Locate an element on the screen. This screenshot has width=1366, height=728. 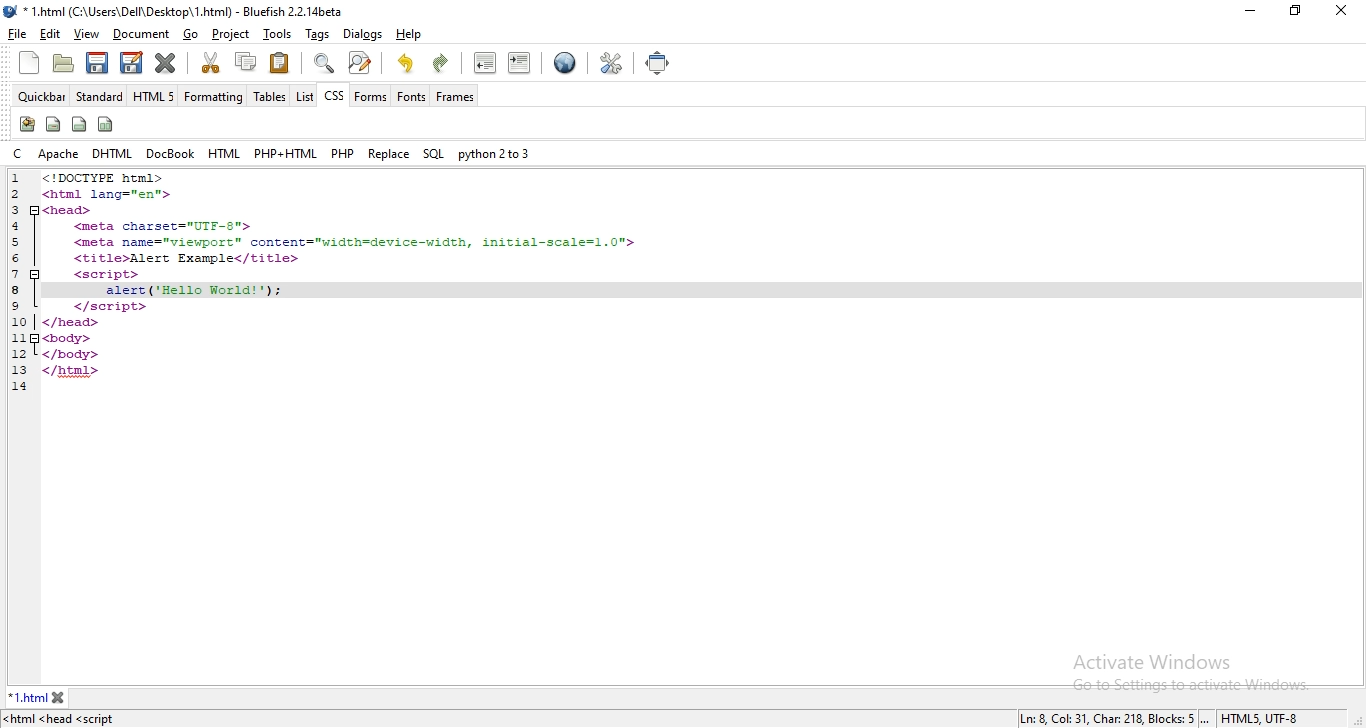
view is located at coordinates (85, 34).